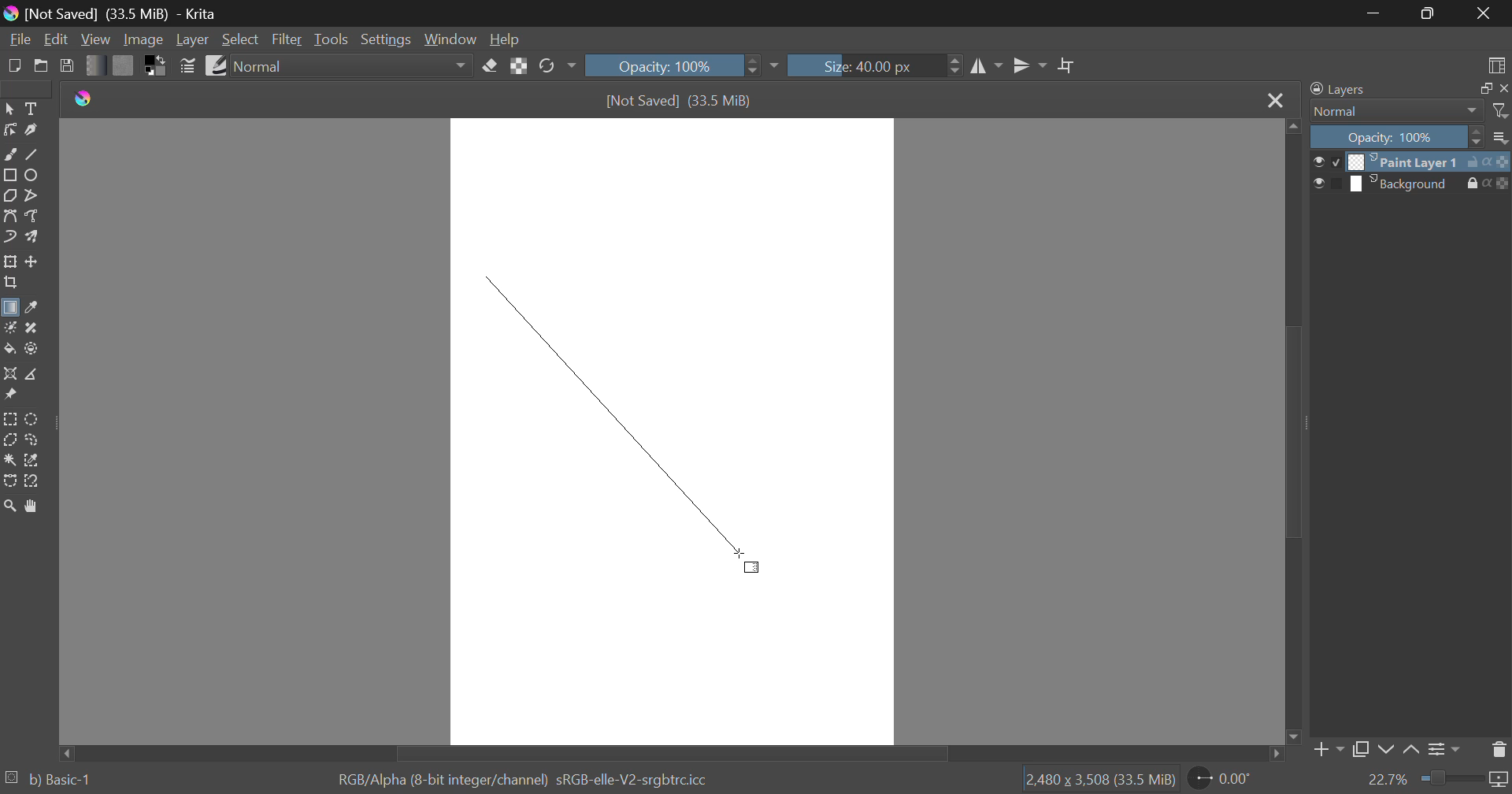 Image resolution: width=1512 pixels, height=794 pixels. I want to click on Delete Layer, so click(1499, 748).